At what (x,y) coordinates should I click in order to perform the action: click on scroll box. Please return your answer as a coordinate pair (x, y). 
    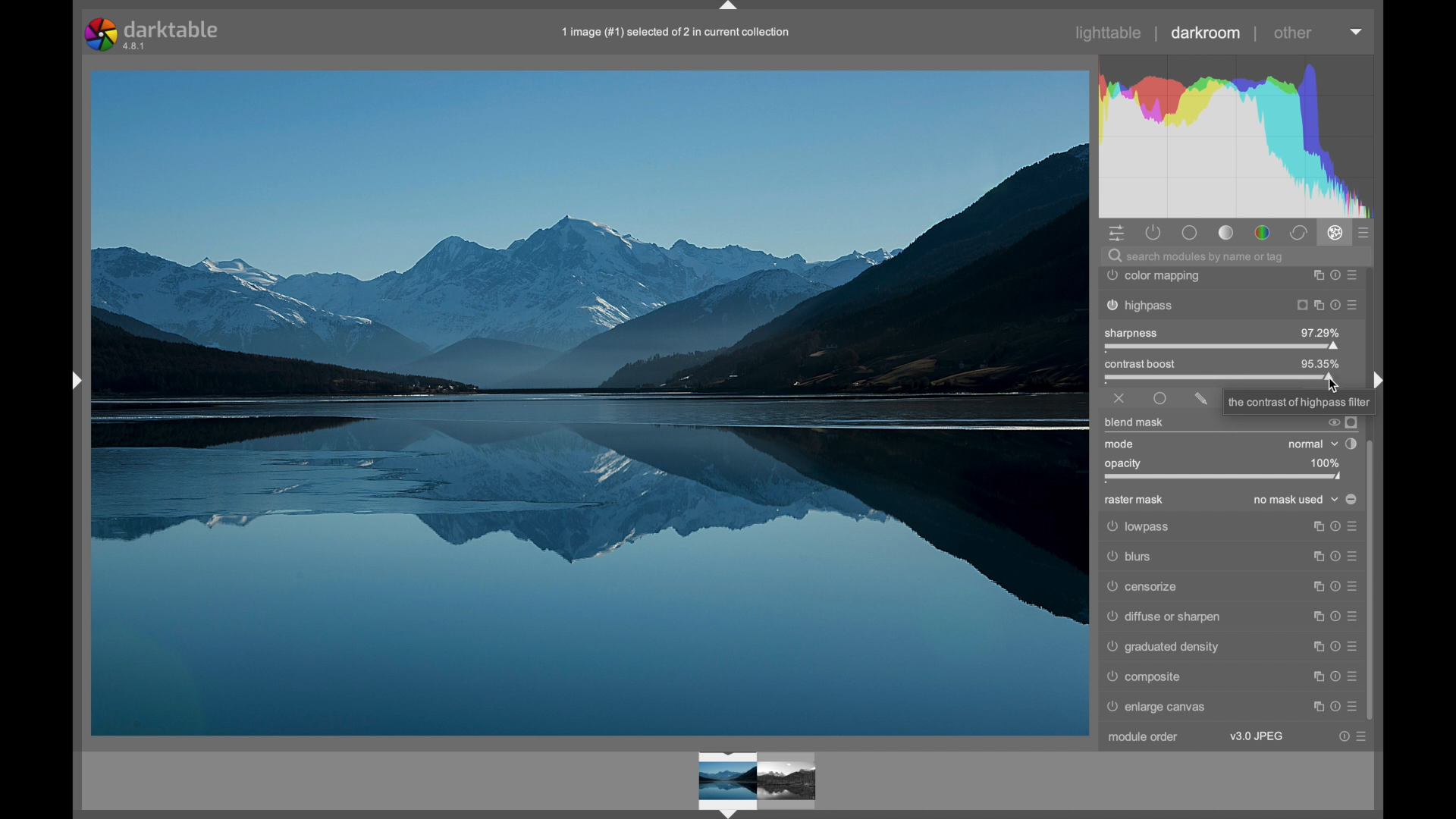
    Looking at the image, I should click on (1373, 581).